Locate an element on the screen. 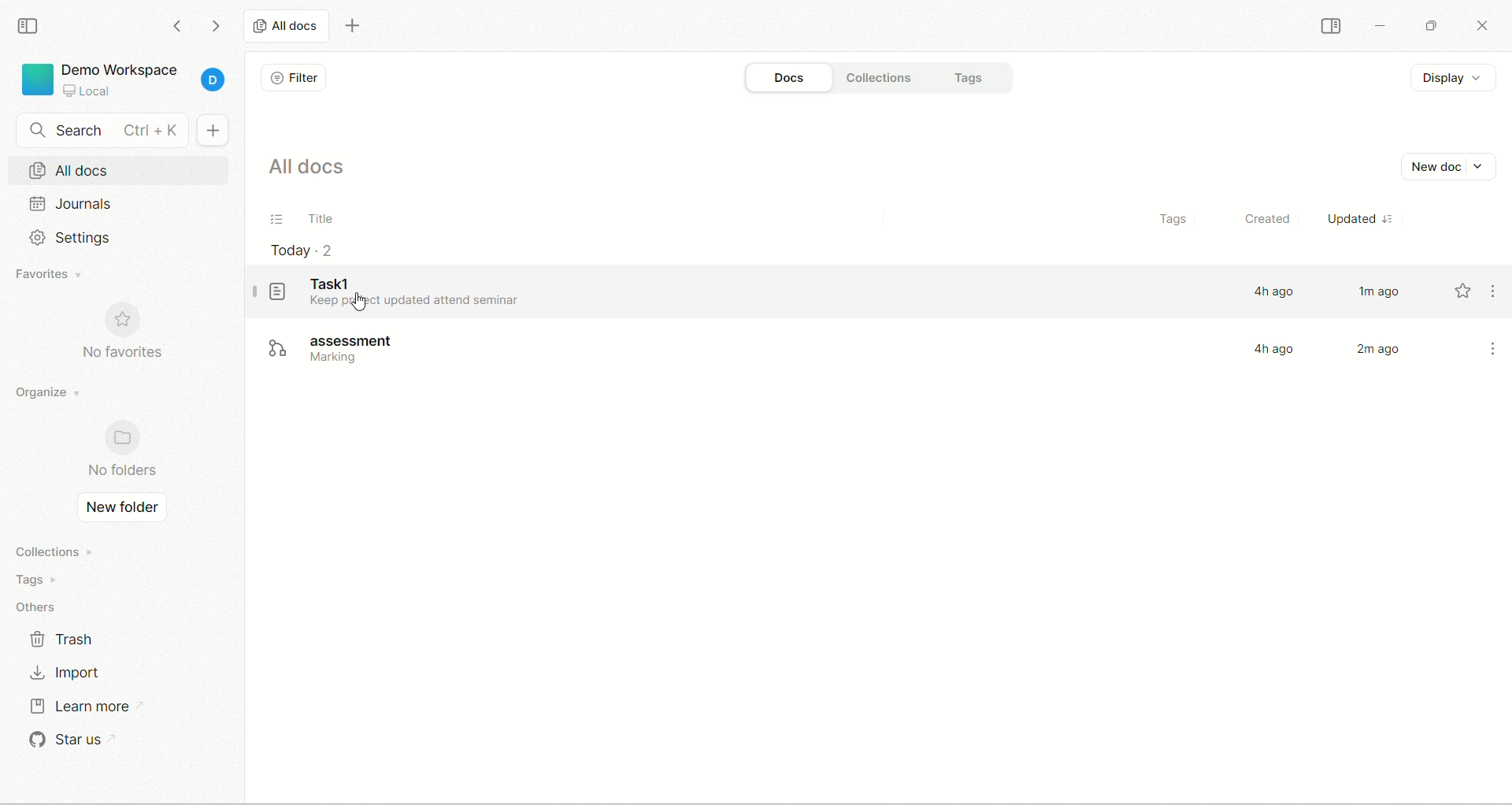  title is located at coordinates (303, 216).